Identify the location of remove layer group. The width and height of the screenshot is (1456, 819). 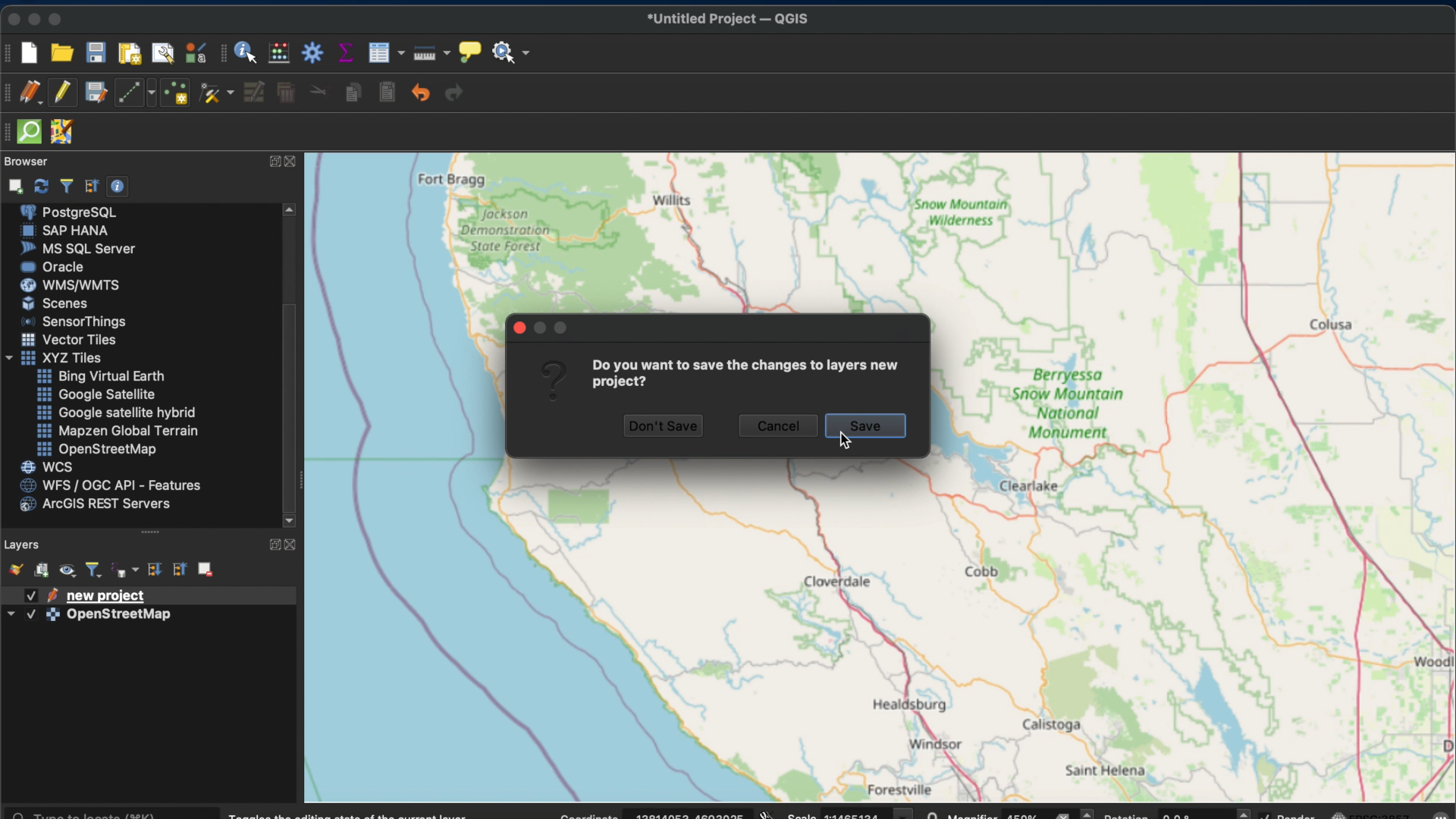
(206, 568).